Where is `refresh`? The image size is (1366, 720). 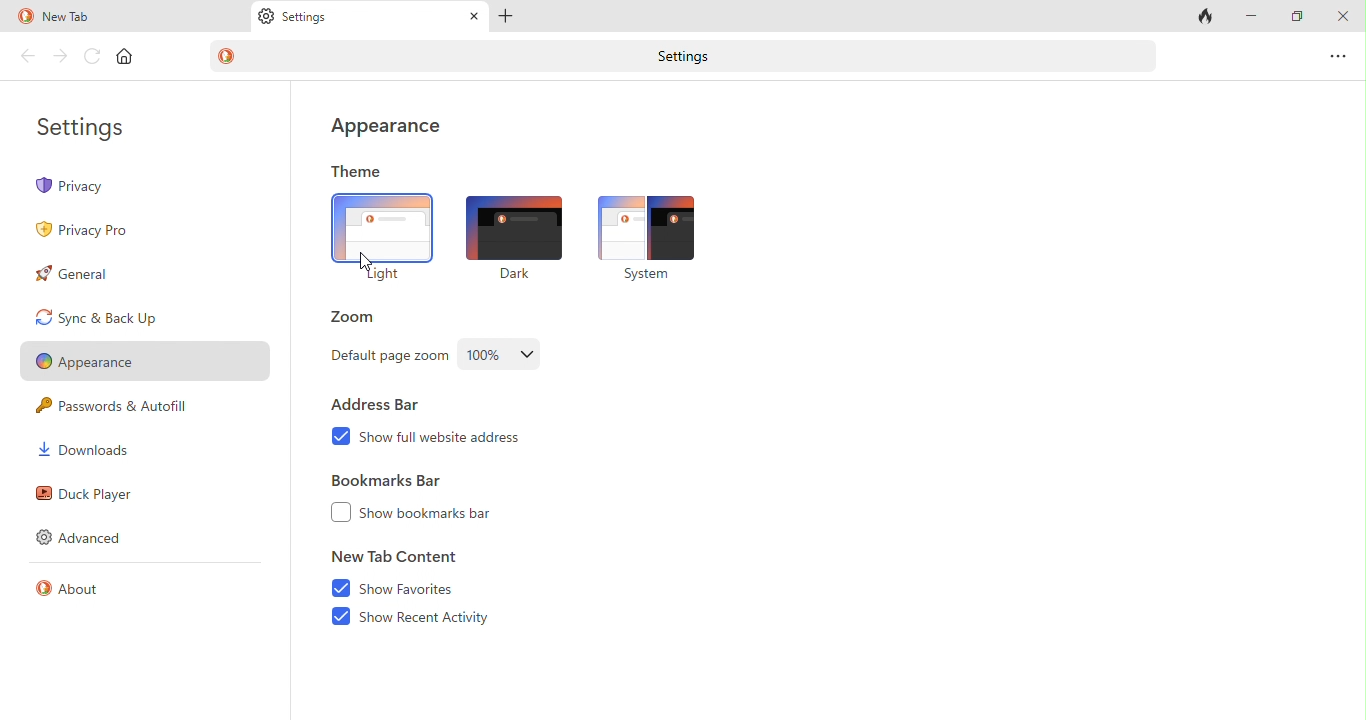
refresh is located at coordinates (91, 55).